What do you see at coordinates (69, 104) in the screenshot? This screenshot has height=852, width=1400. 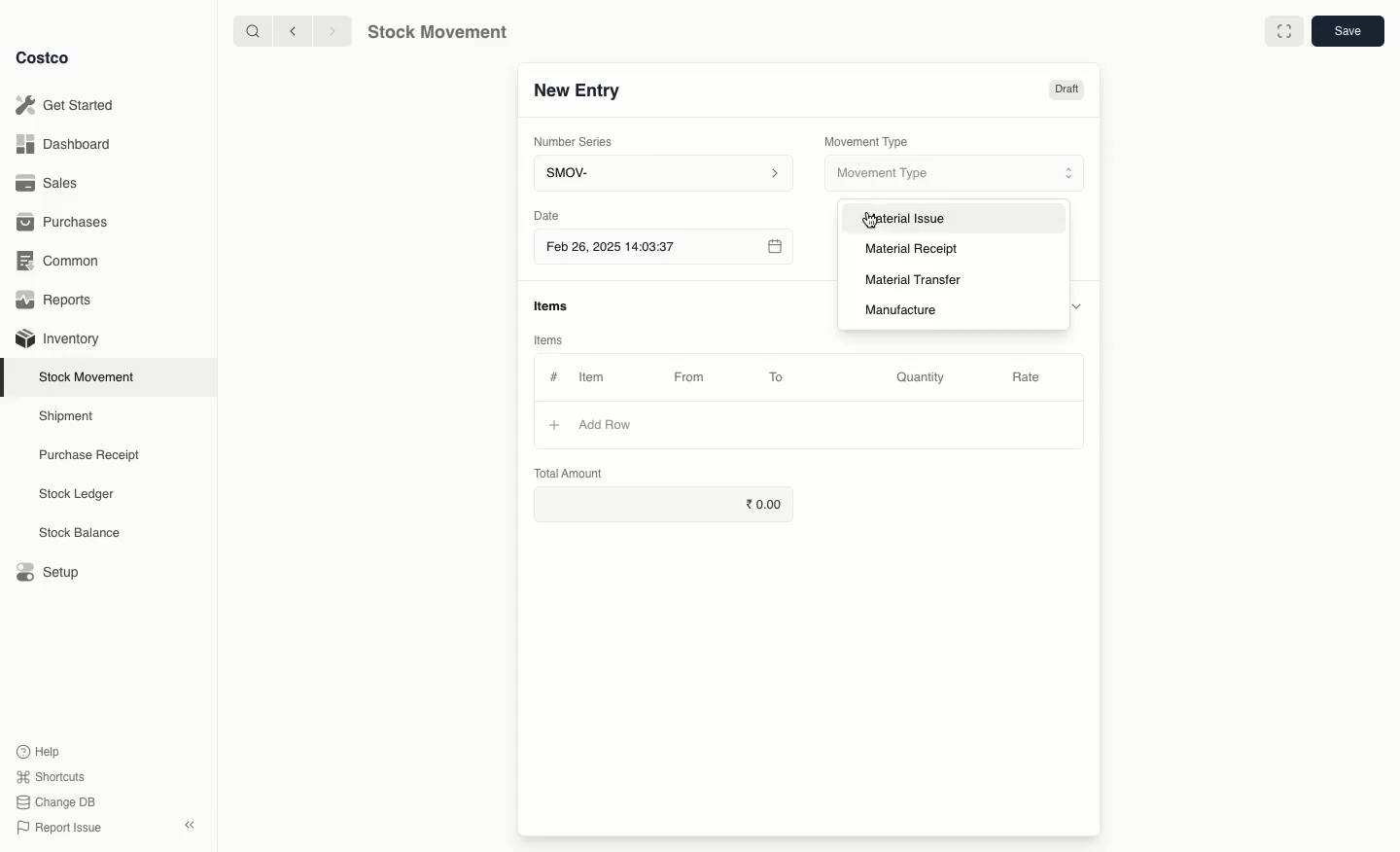 I see `Get Started` at bounding box center [69, 104].